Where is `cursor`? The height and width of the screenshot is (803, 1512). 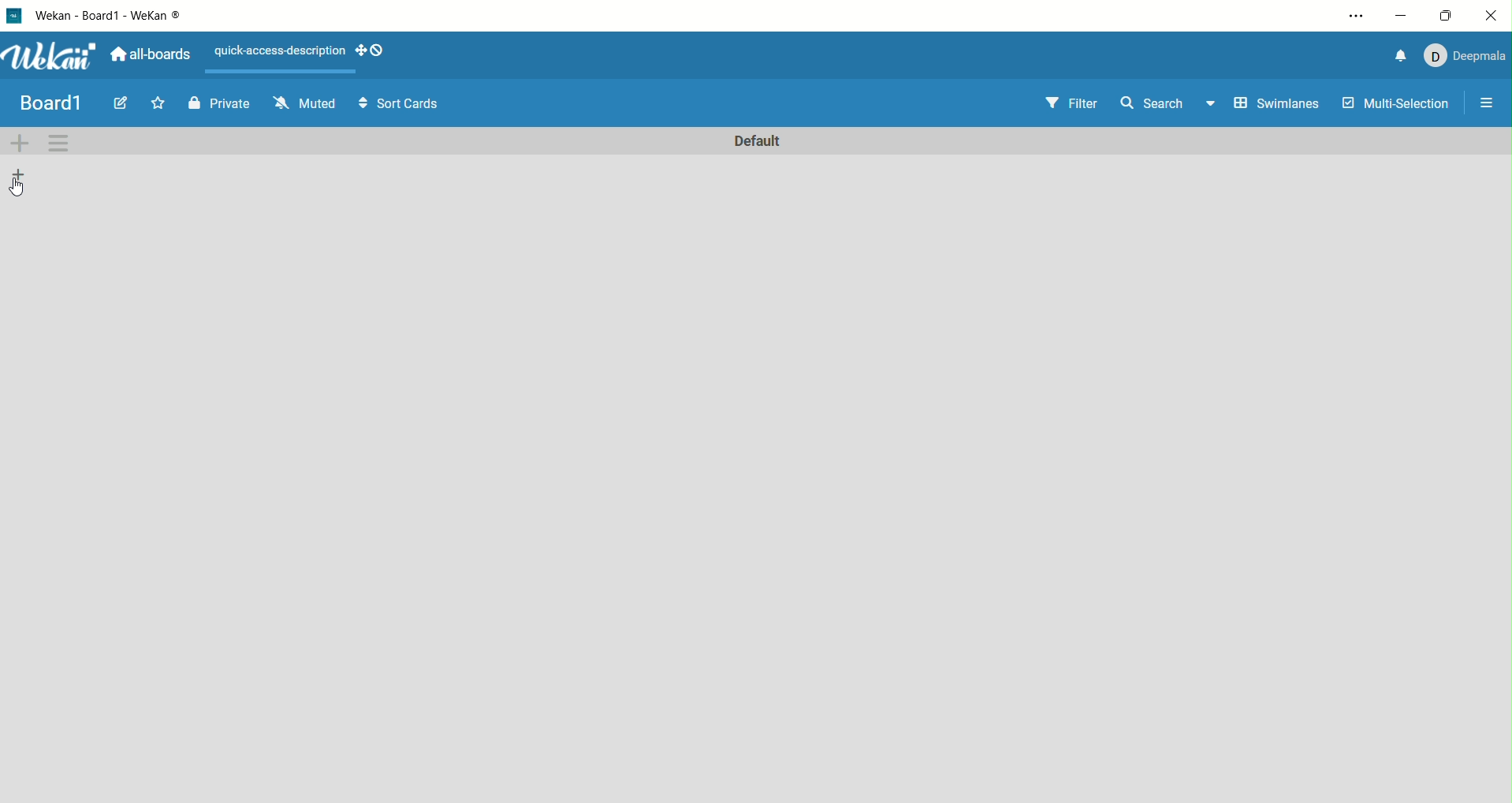
cursor is located at coordinates (26, 190).